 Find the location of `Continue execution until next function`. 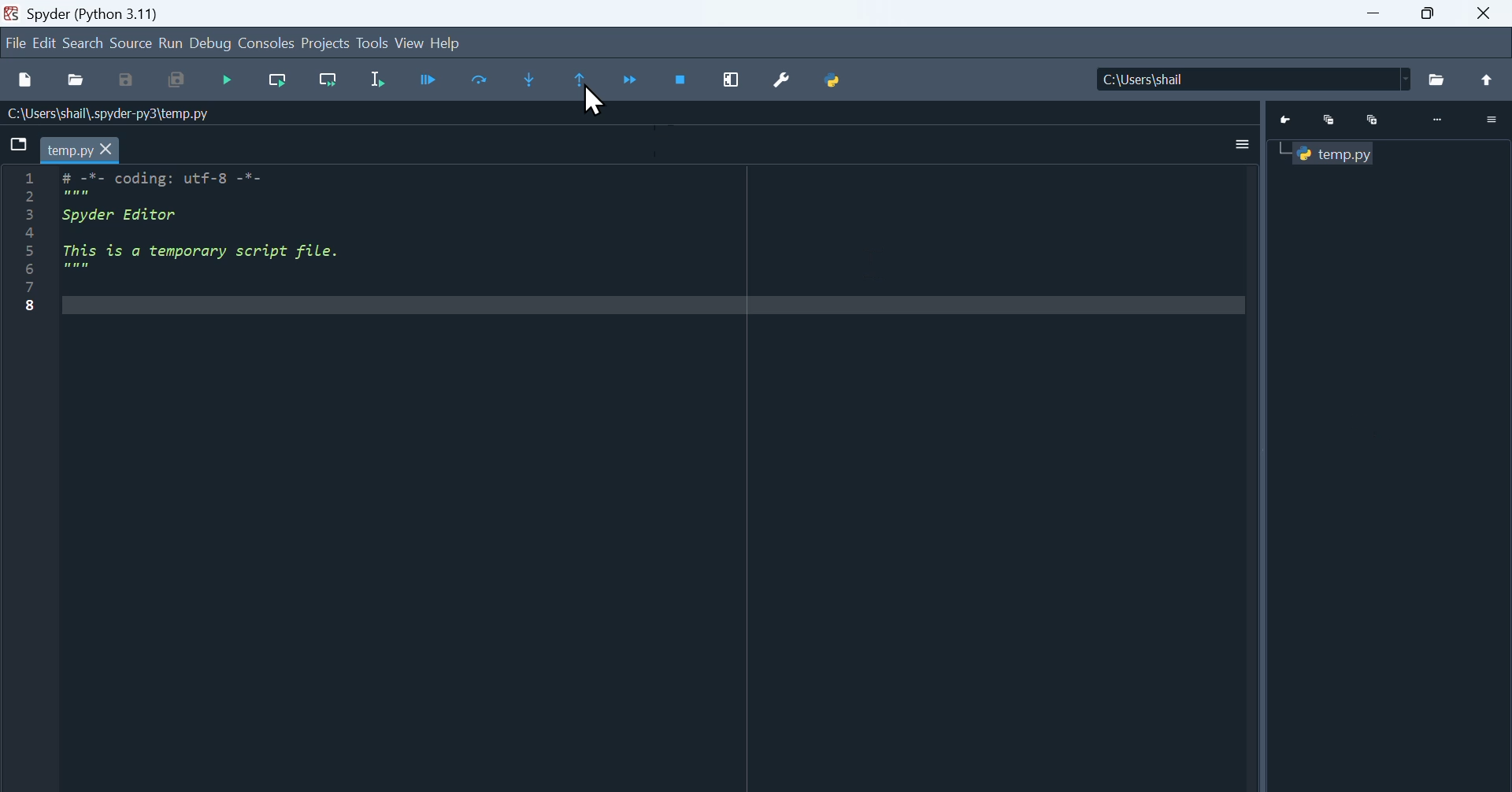

Continue execution until next function is located at coordinates (629, 80).